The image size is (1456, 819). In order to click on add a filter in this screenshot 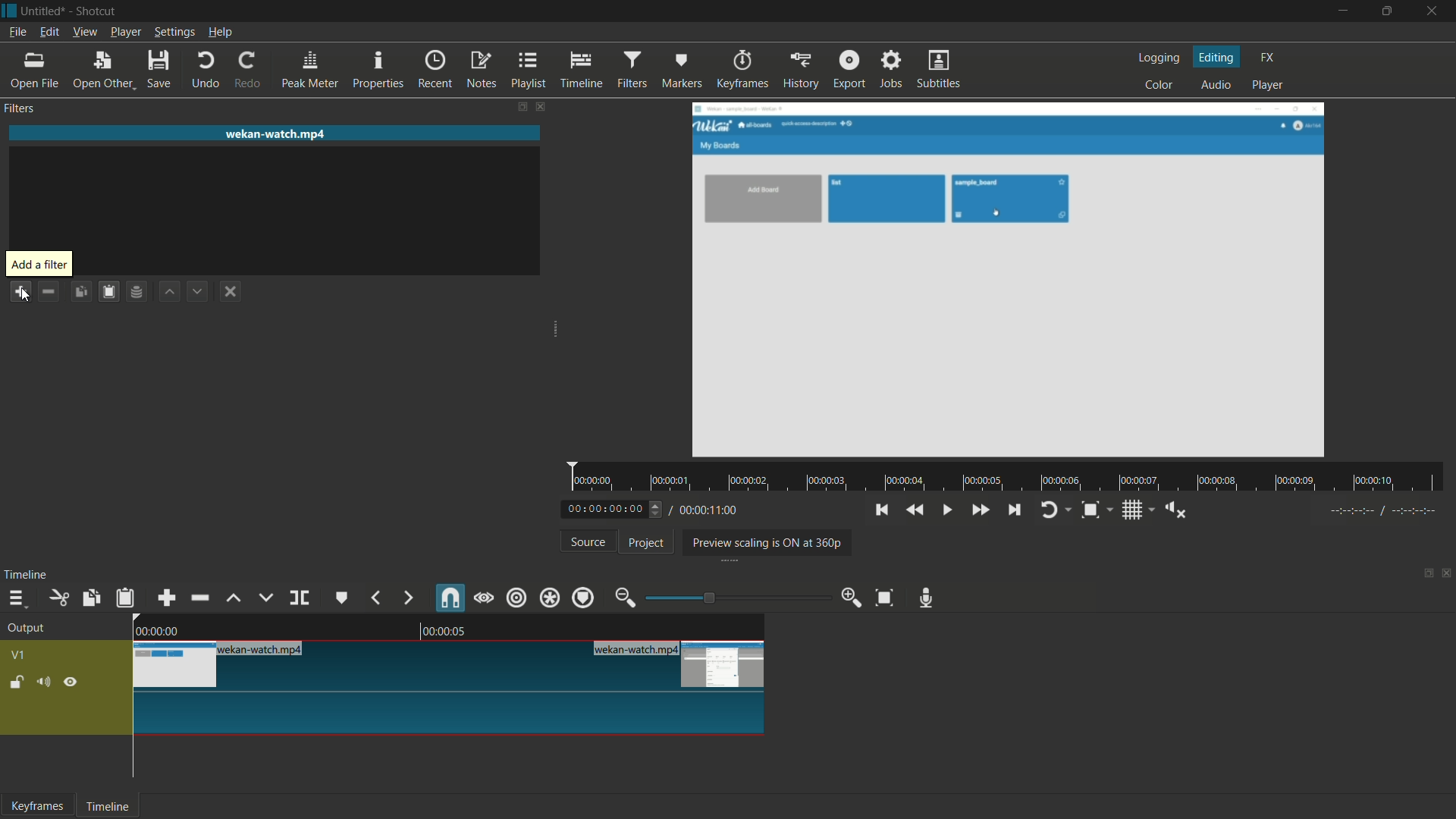, I will do `click(38, 265)`.